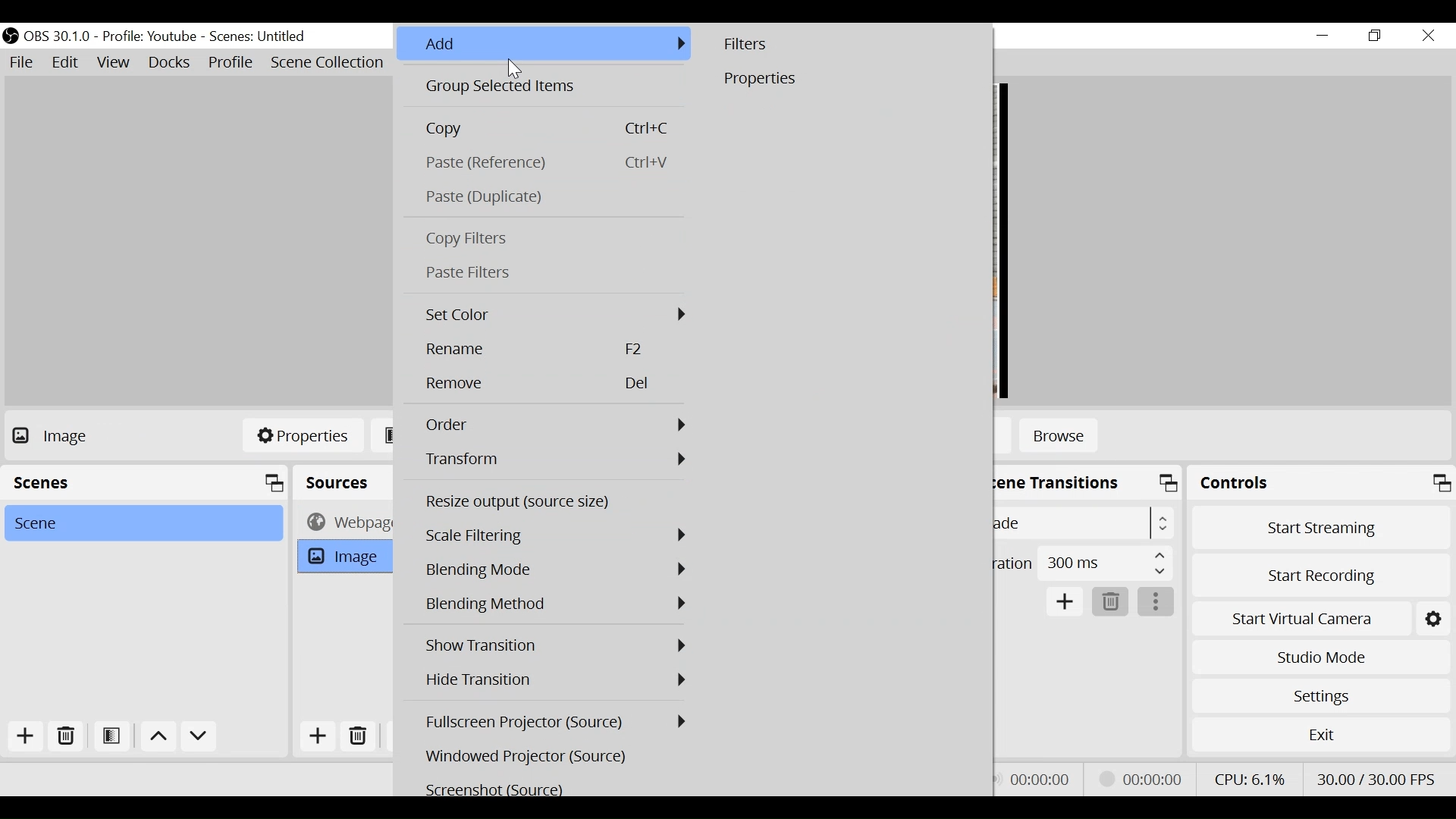  Describe the element at coordinates (1059, 438) in the screenshot. I see `Browse` at that location.